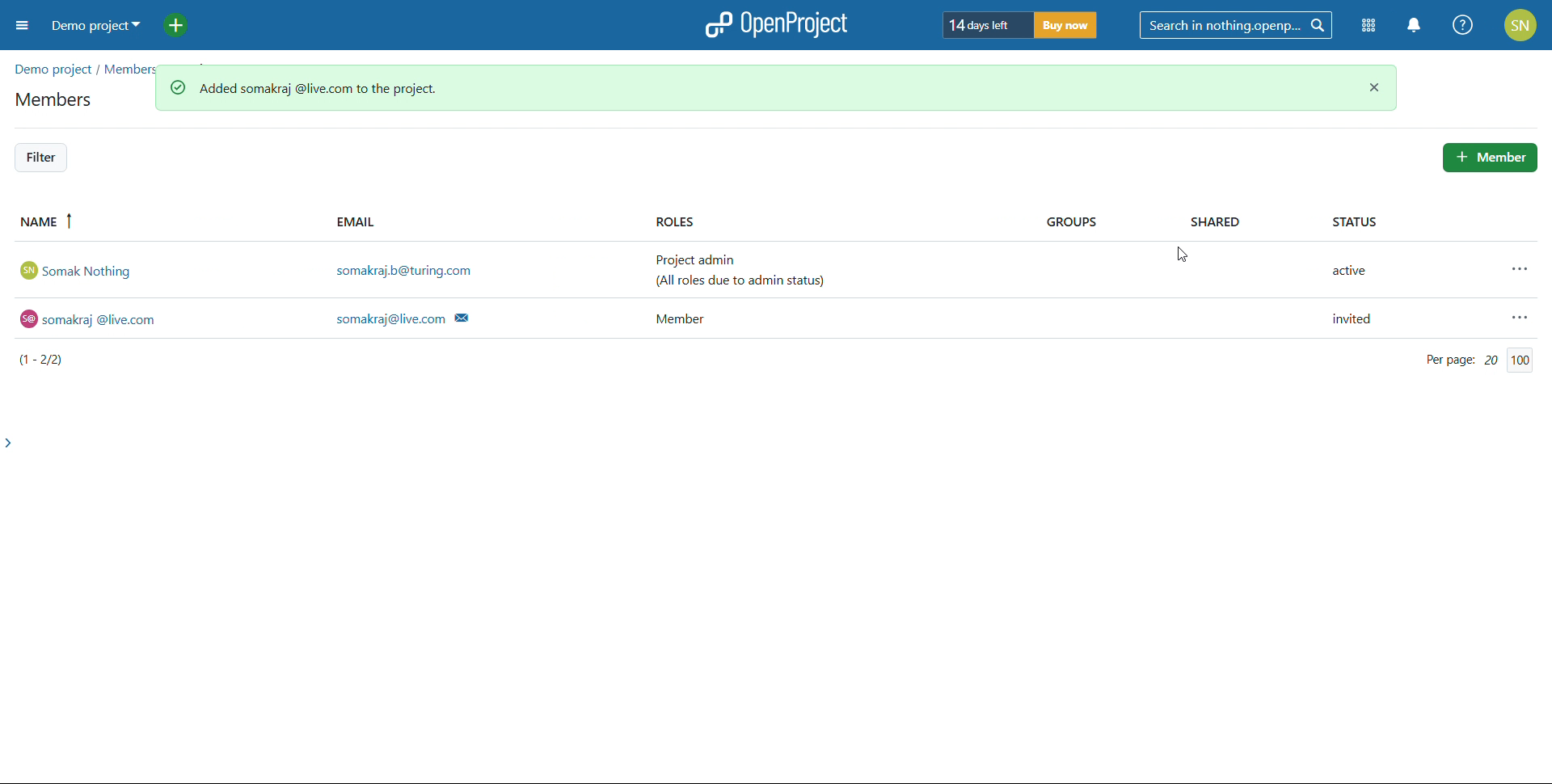 The image size is (1552, 784). Describe the element at coordinates (91, 26) in the screenshot. I see `demo project selected` at that location.